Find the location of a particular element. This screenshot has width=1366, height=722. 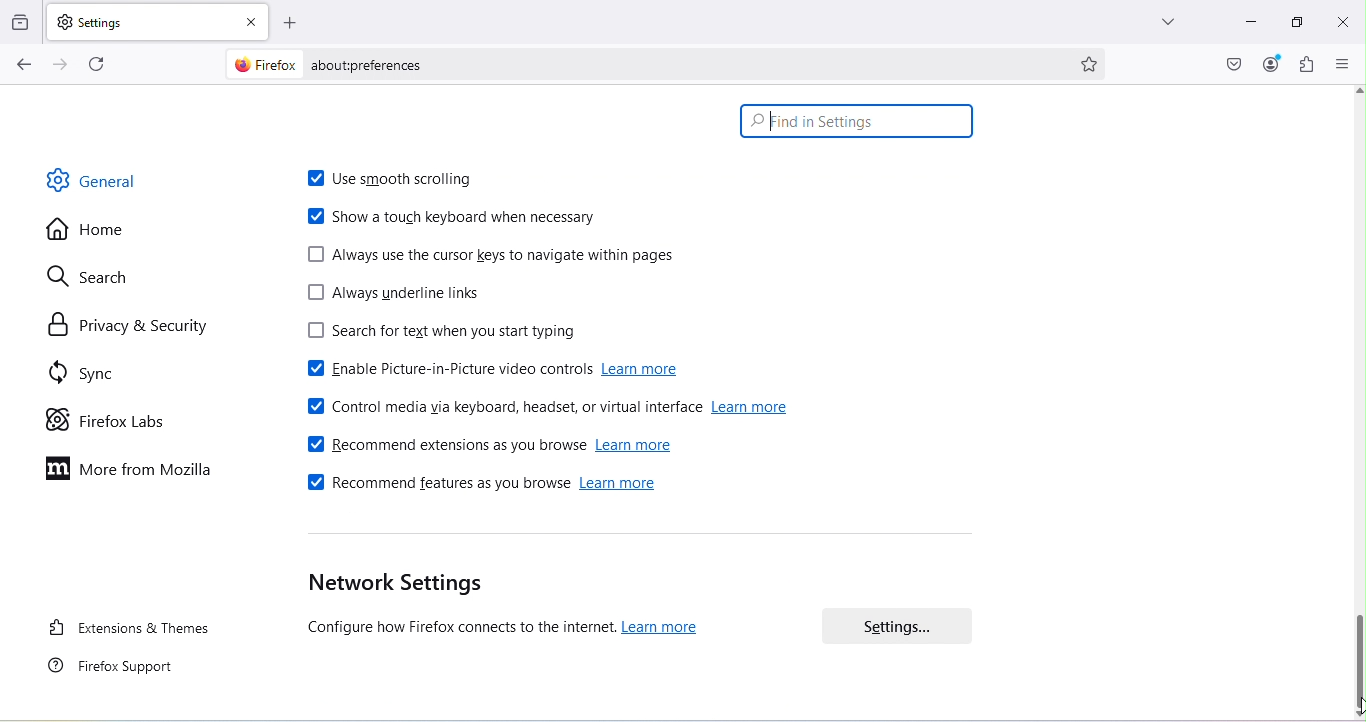

learn more is located at coordinates (638, 446).